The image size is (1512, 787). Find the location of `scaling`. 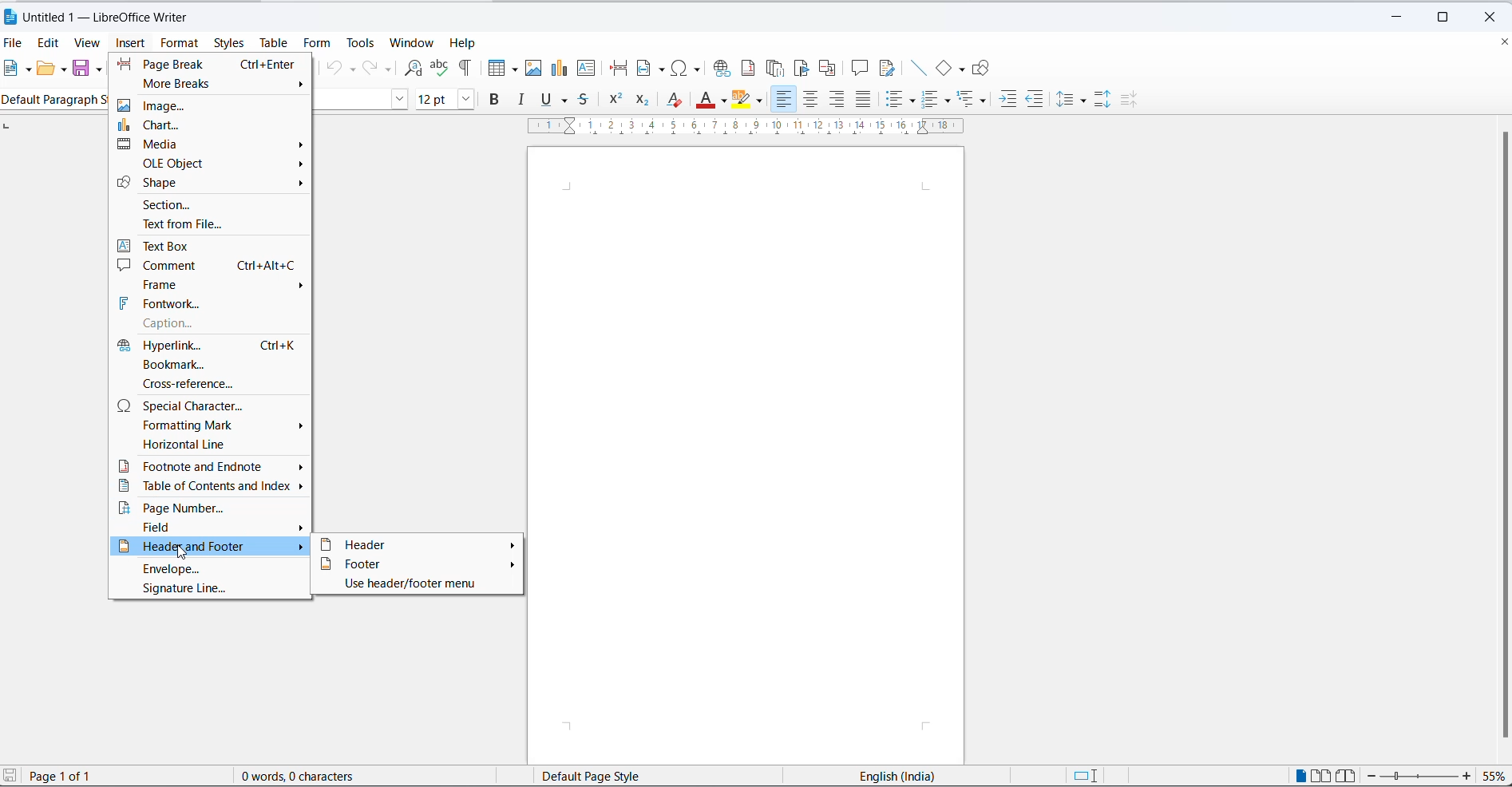

scaling is located at coordinates (759, 130).